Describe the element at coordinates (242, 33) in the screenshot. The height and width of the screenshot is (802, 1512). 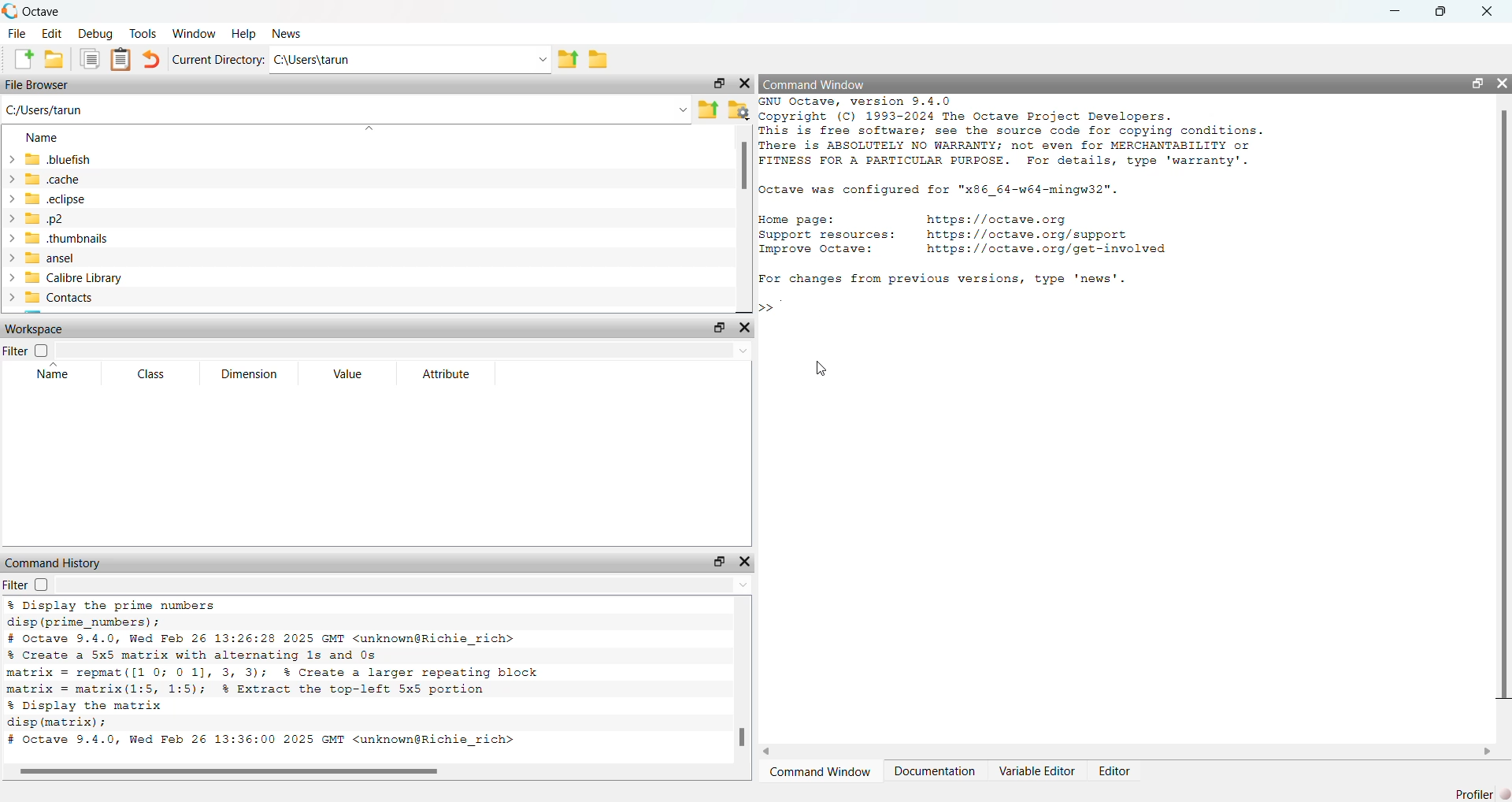
I see `help` at that location.